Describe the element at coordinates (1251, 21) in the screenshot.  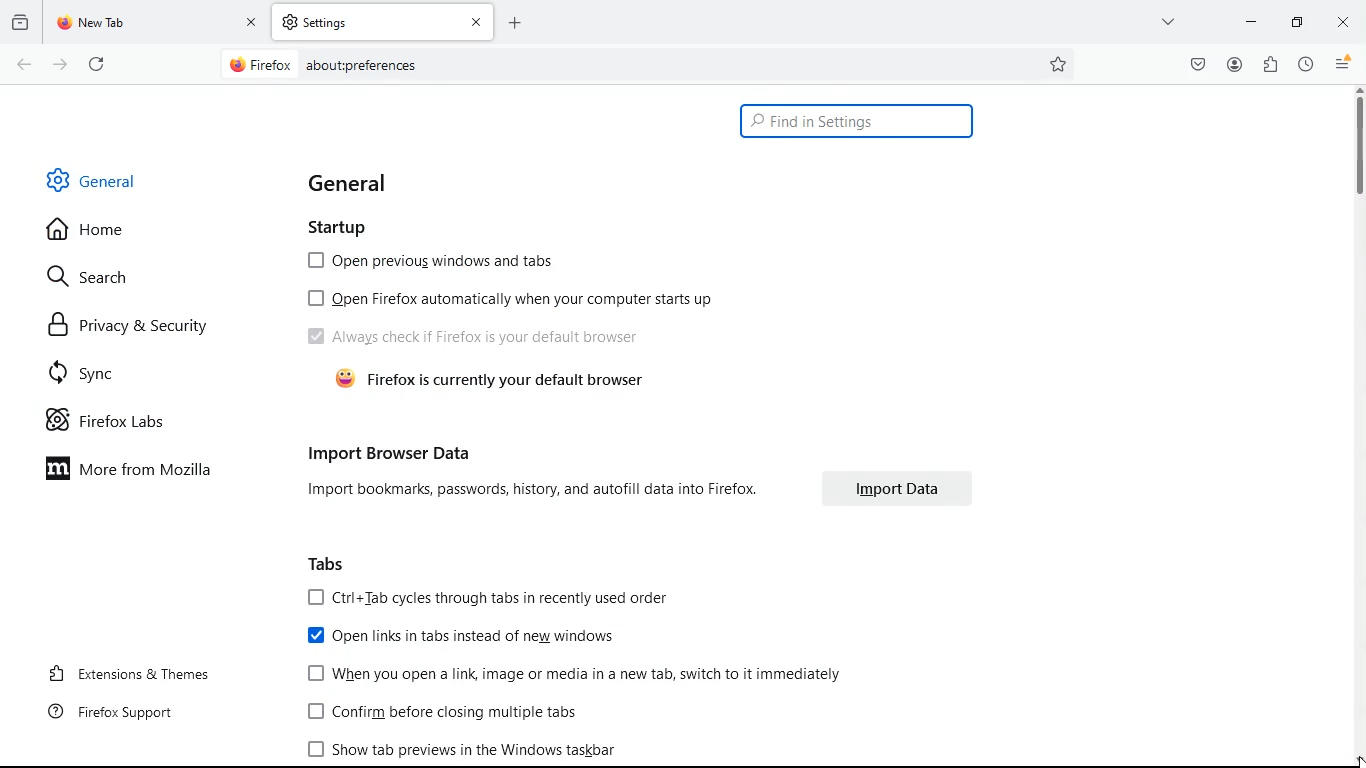
I see `minimize` at that location.